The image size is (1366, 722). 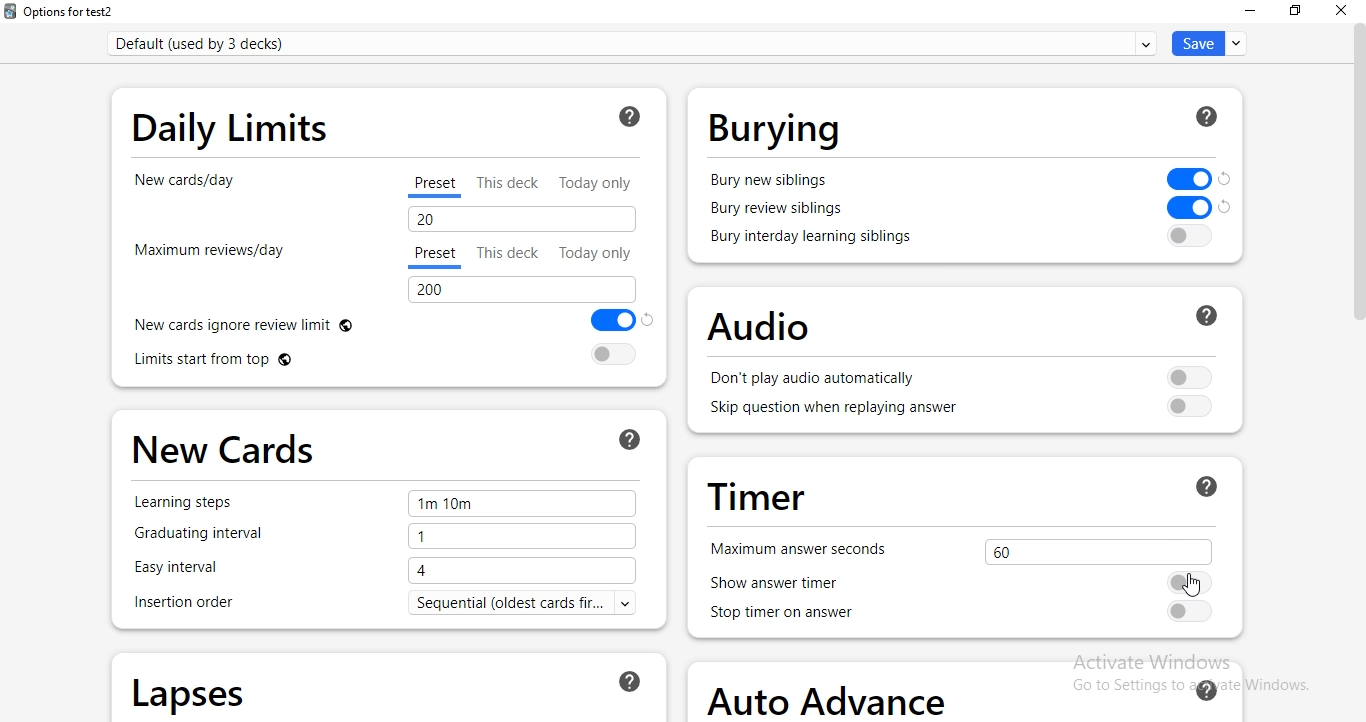 I want to click on save, so click(x=1210, y=43).